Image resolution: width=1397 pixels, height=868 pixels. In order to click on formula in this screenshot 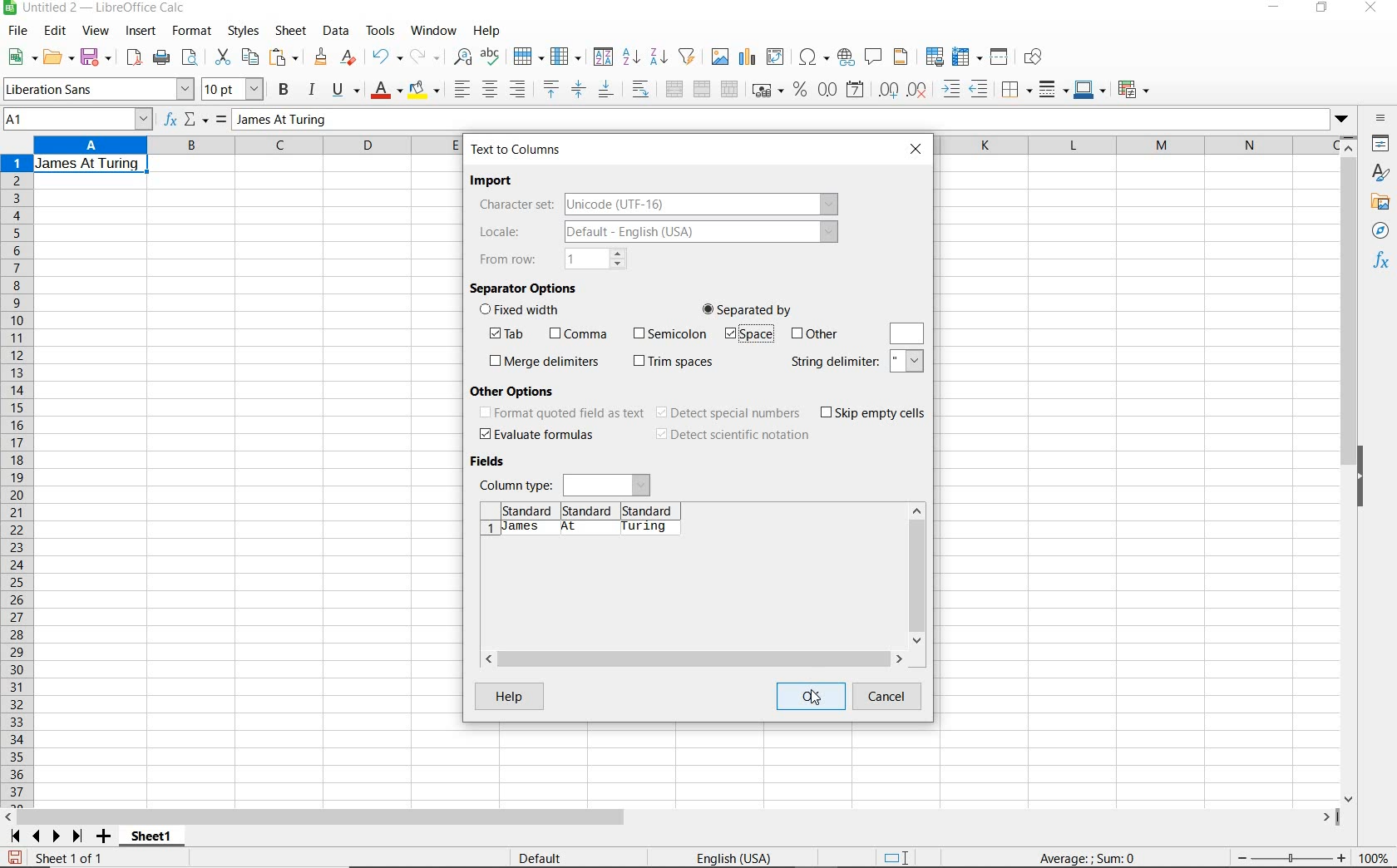, I will do `click(220, 121)`.